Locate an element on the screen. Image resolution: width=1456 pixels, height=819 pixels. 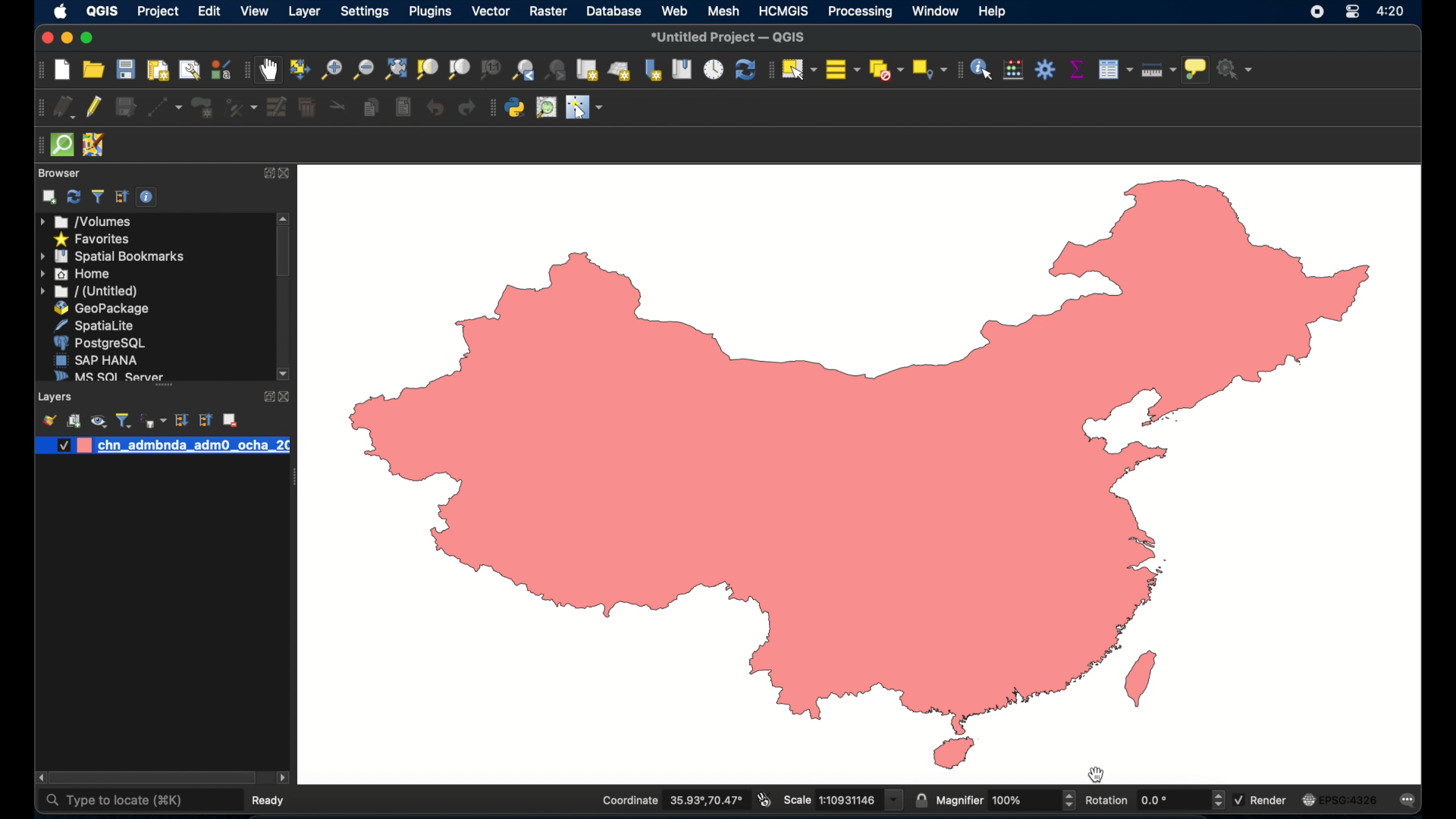
measure line is located at coordinates (1157, 69).